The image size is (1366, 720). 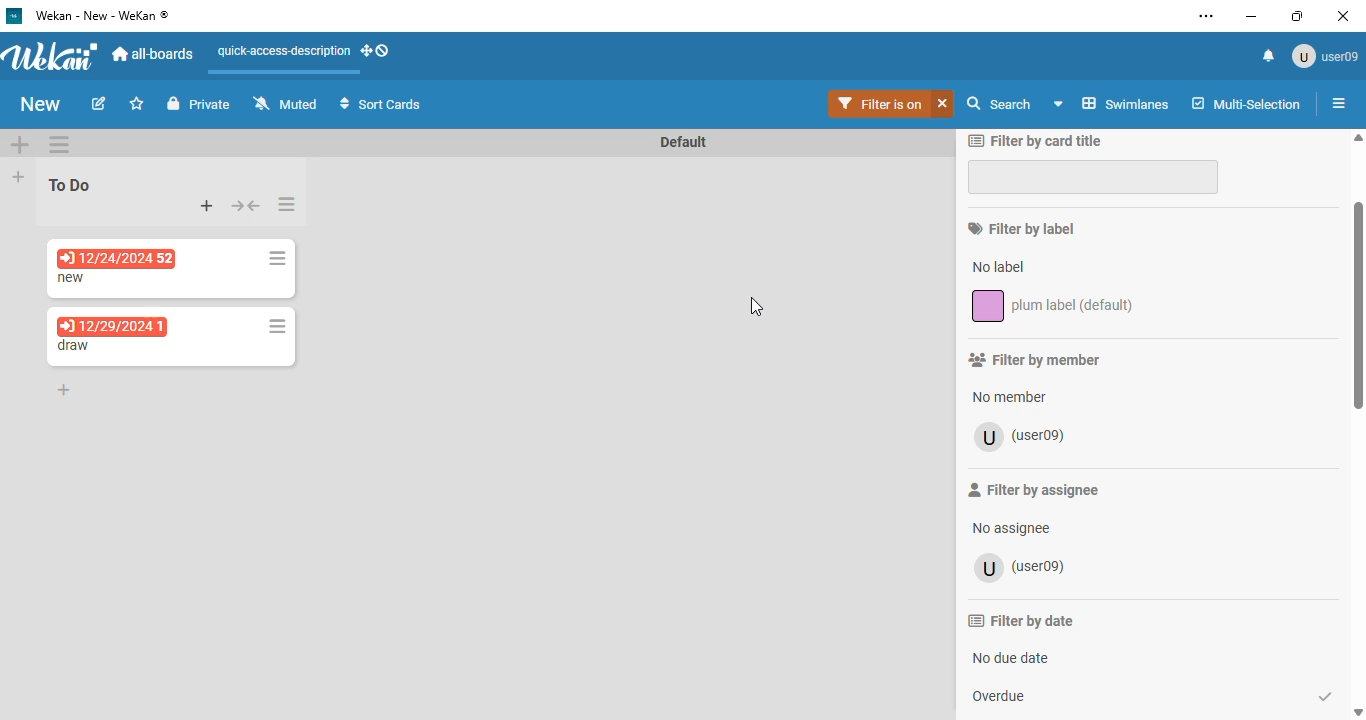 What do you see at coordinates (71, 184) in the screenshot?
I see `To Do` at bounding box center [71, 184].